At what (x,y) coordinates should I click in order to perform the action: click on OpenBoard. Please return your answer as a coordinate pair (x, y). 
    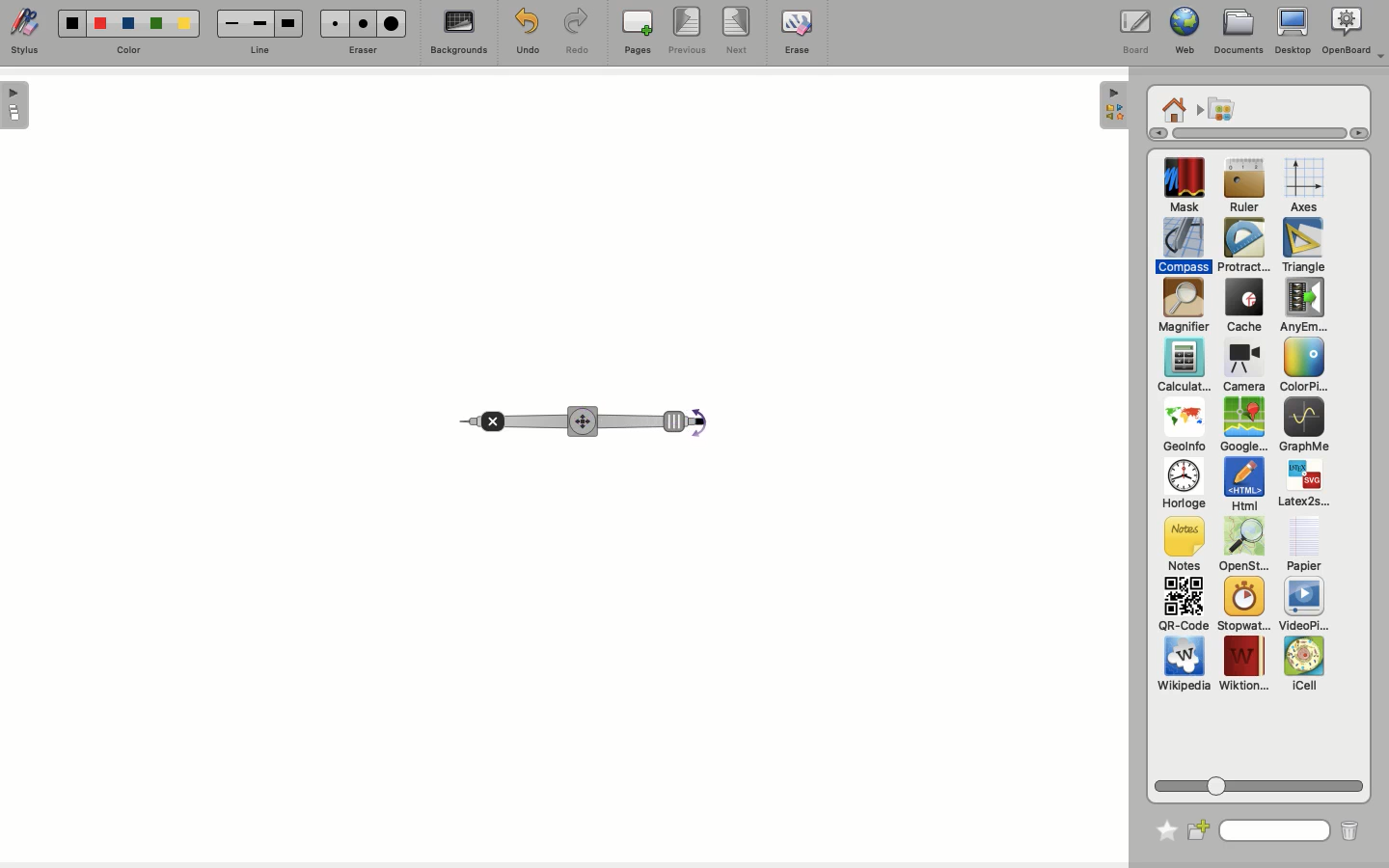
    Looking at the image, I should click on (1353, 32).